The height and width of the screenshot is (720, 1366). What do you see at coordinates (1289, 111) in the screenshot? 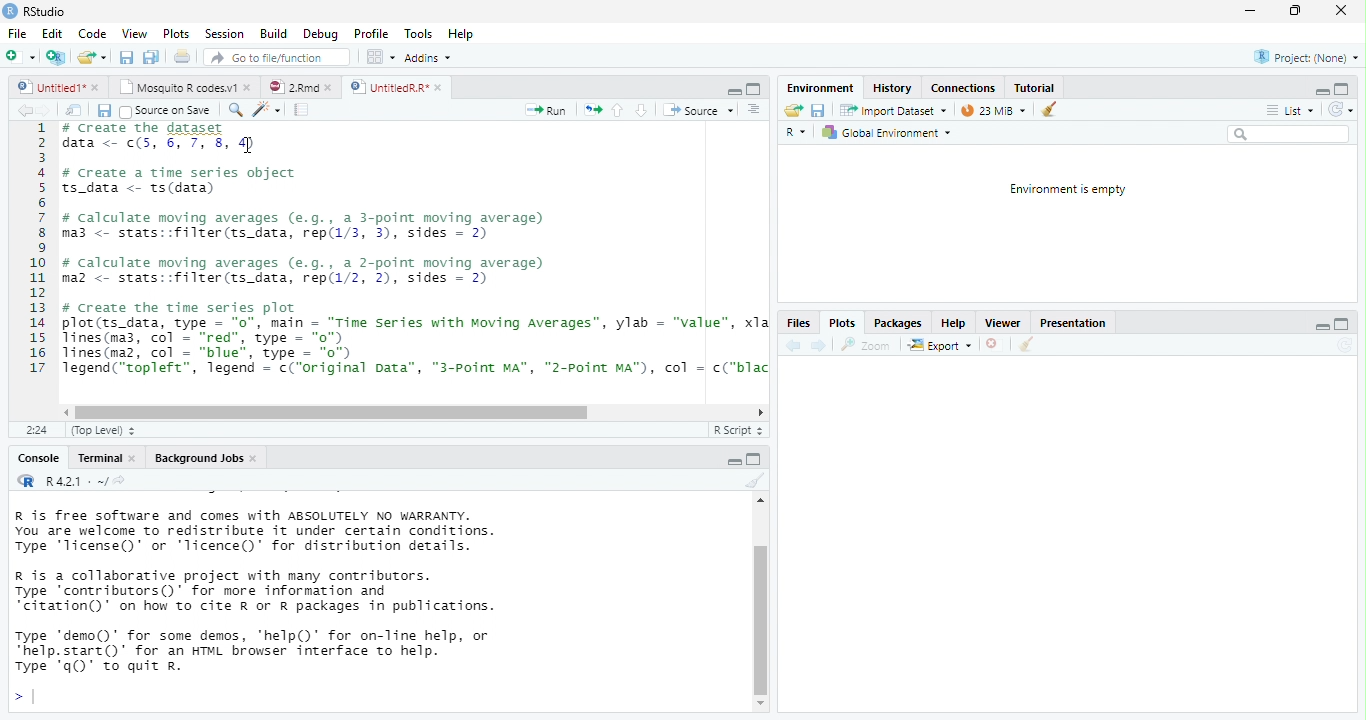
I see `List` at bounding box center [1289, 111].